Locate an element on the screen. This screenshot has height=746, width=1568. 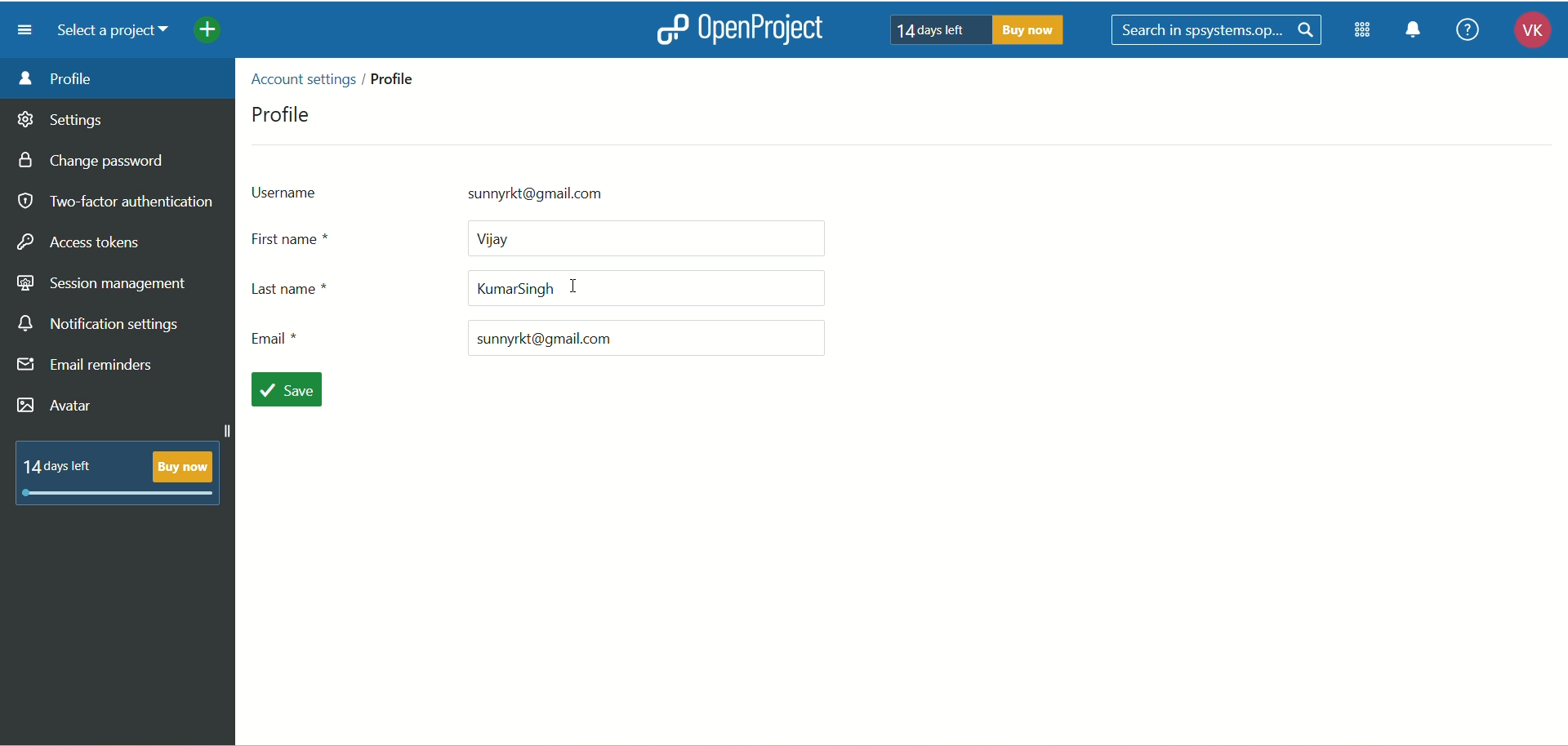
logo is located at coordinates (670, 29).